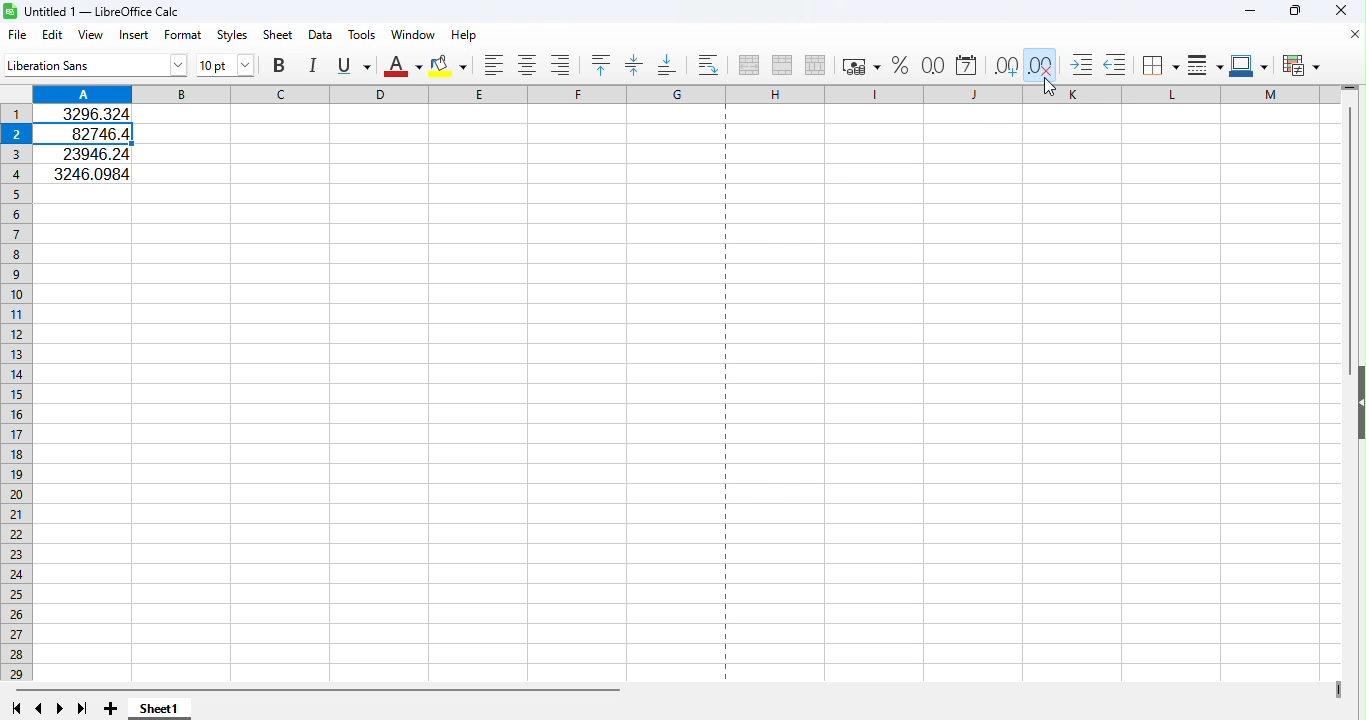 The image size is (1366, 720). What do you see at coordinates (1294, 11) in the screenshot?
I see `Maximize` at bounding box center [1294, 11].